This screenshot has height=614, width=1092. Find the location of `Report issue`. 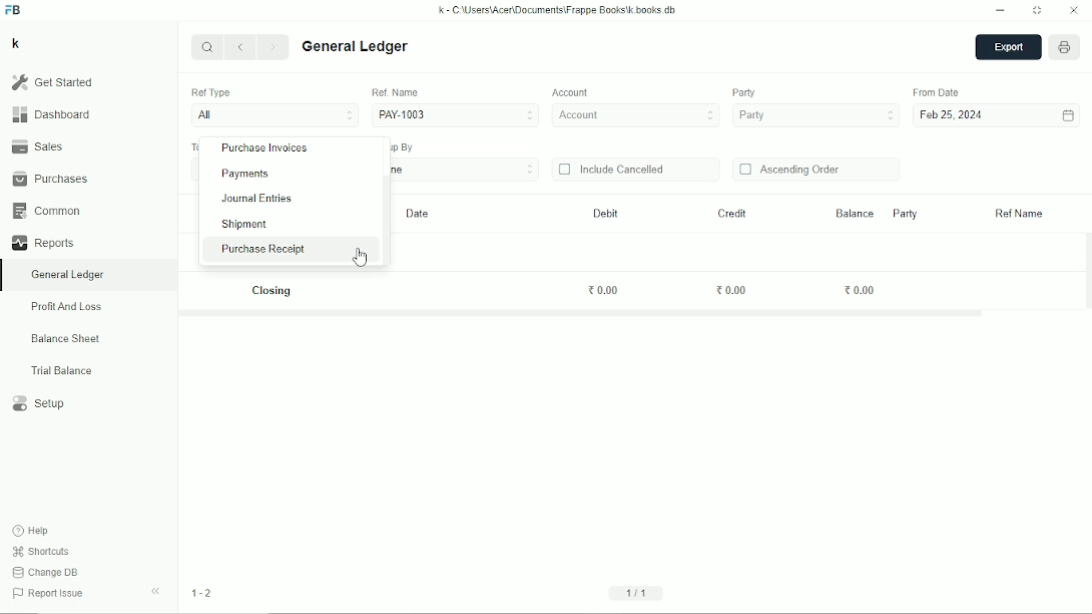

Report issue is located at coordinates (51, 595).